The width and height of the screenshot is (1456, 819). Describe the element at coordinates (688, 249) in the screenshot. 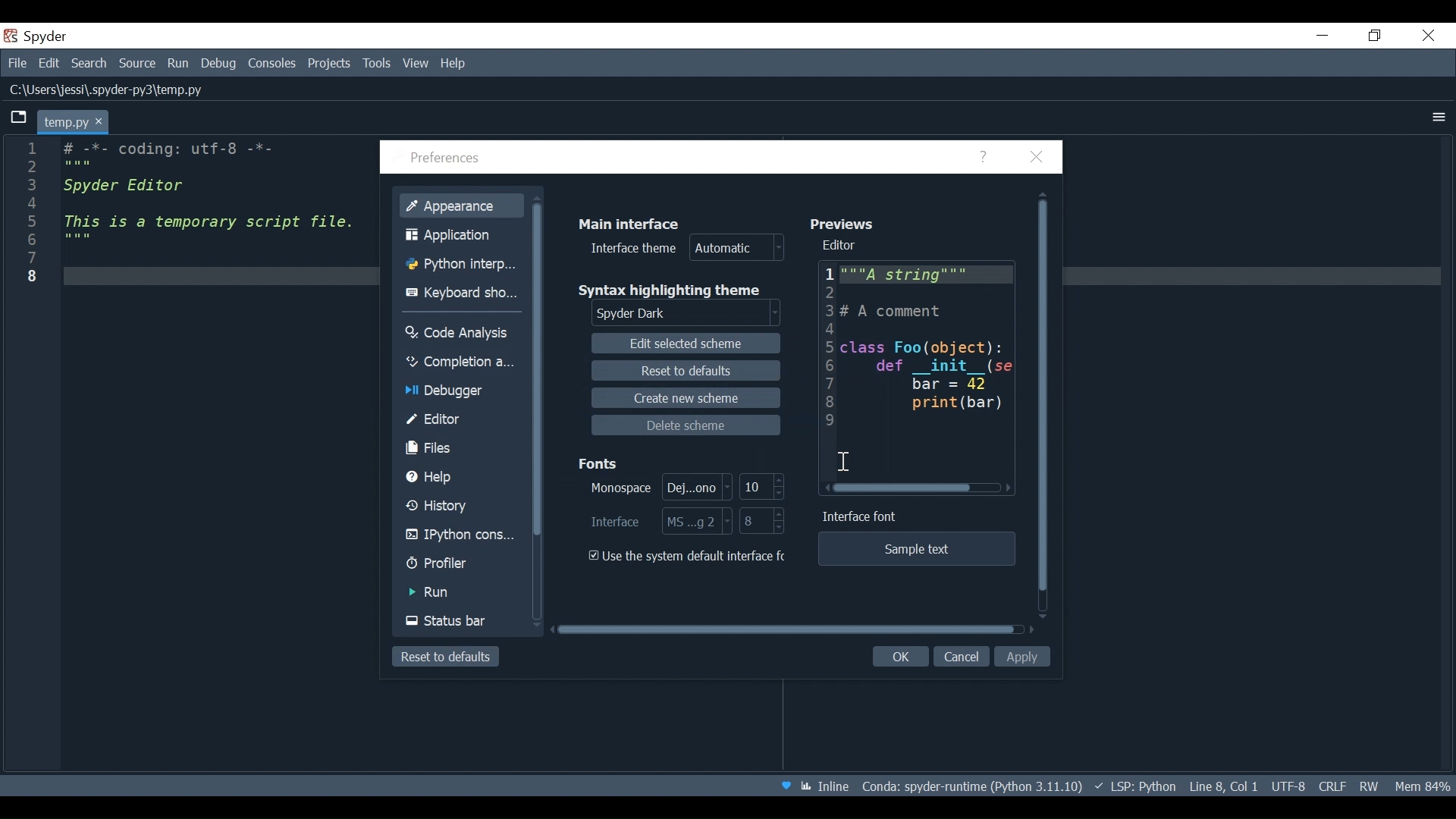

I see `Select Interface theme` at that location.